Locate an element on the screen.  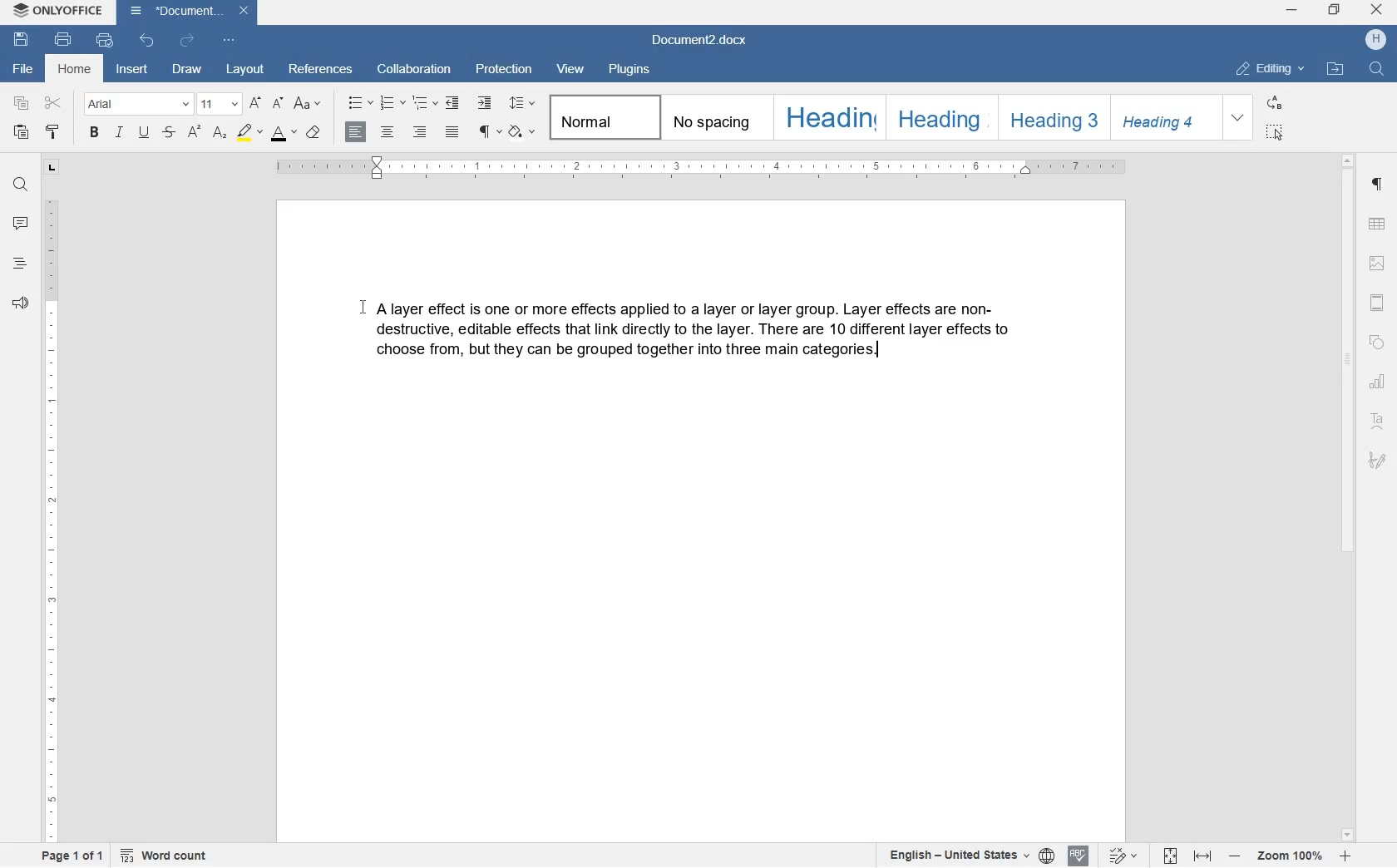
decrement font size is located at coordinates (277, 104).